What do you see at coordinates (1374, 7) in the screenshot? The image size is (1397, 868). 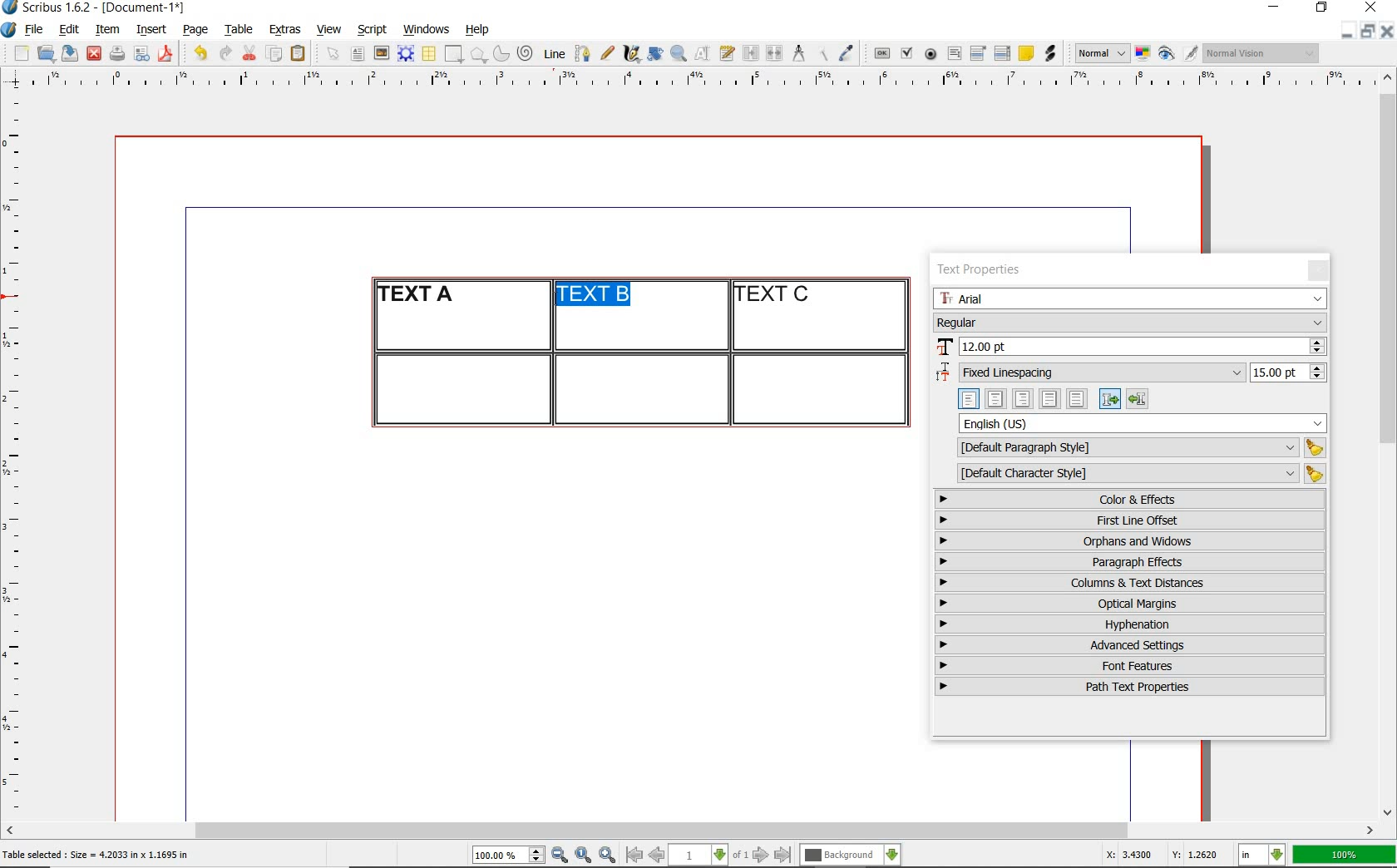 I see `close` at bounding box center [1374, 7].